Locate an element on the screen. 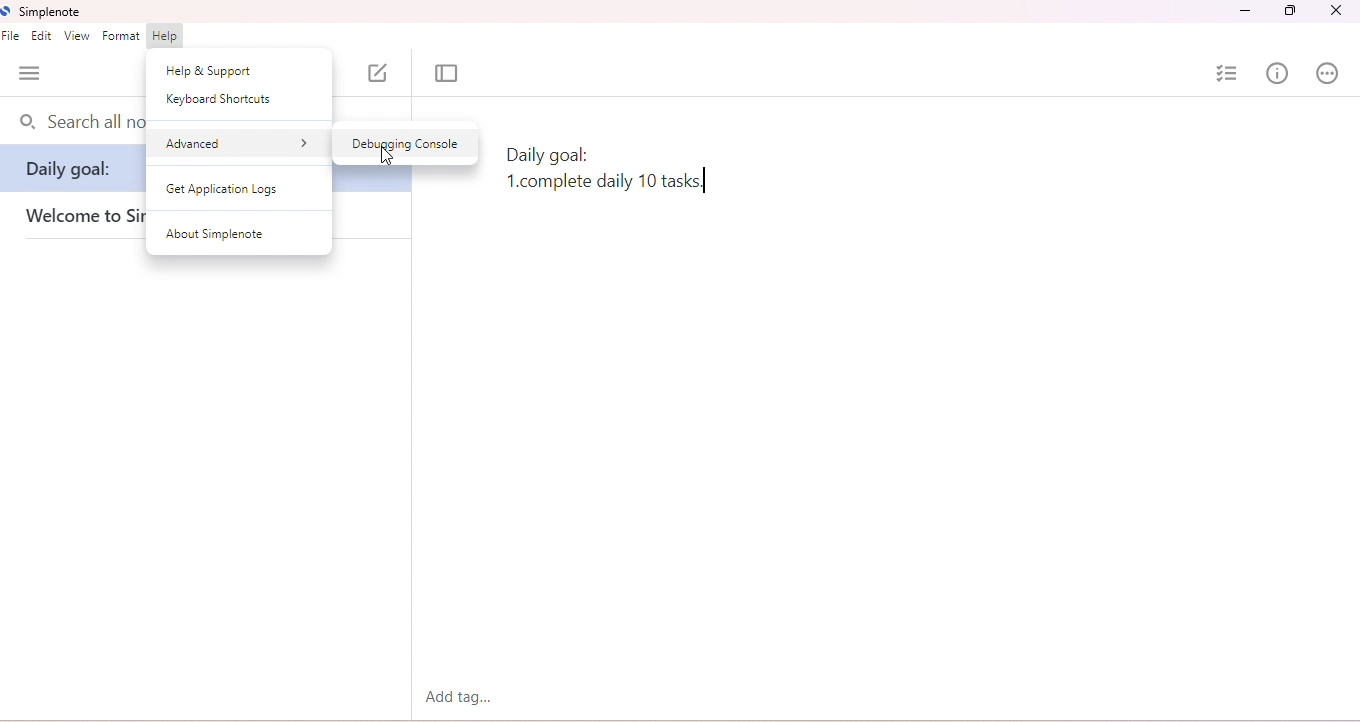  help & support is located at coordinates (211, 69).